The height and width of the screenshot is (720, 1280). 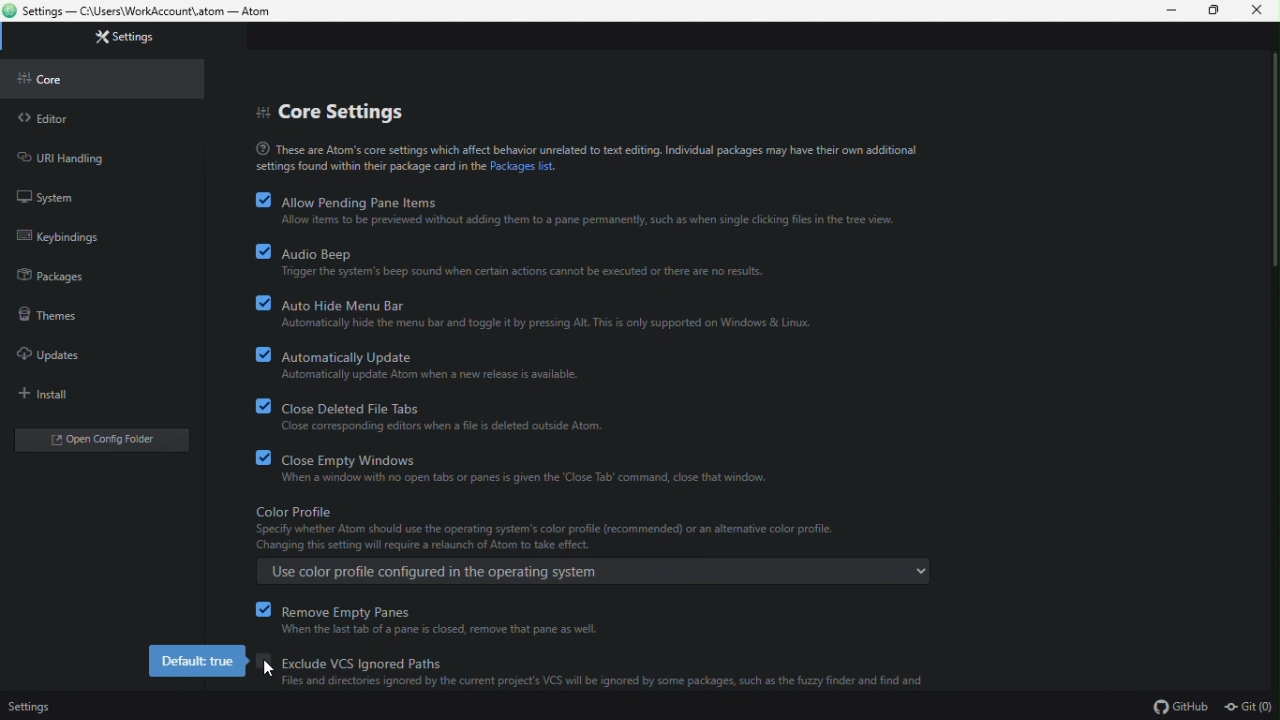 I want to click on default value, so click(x=196, y=661).